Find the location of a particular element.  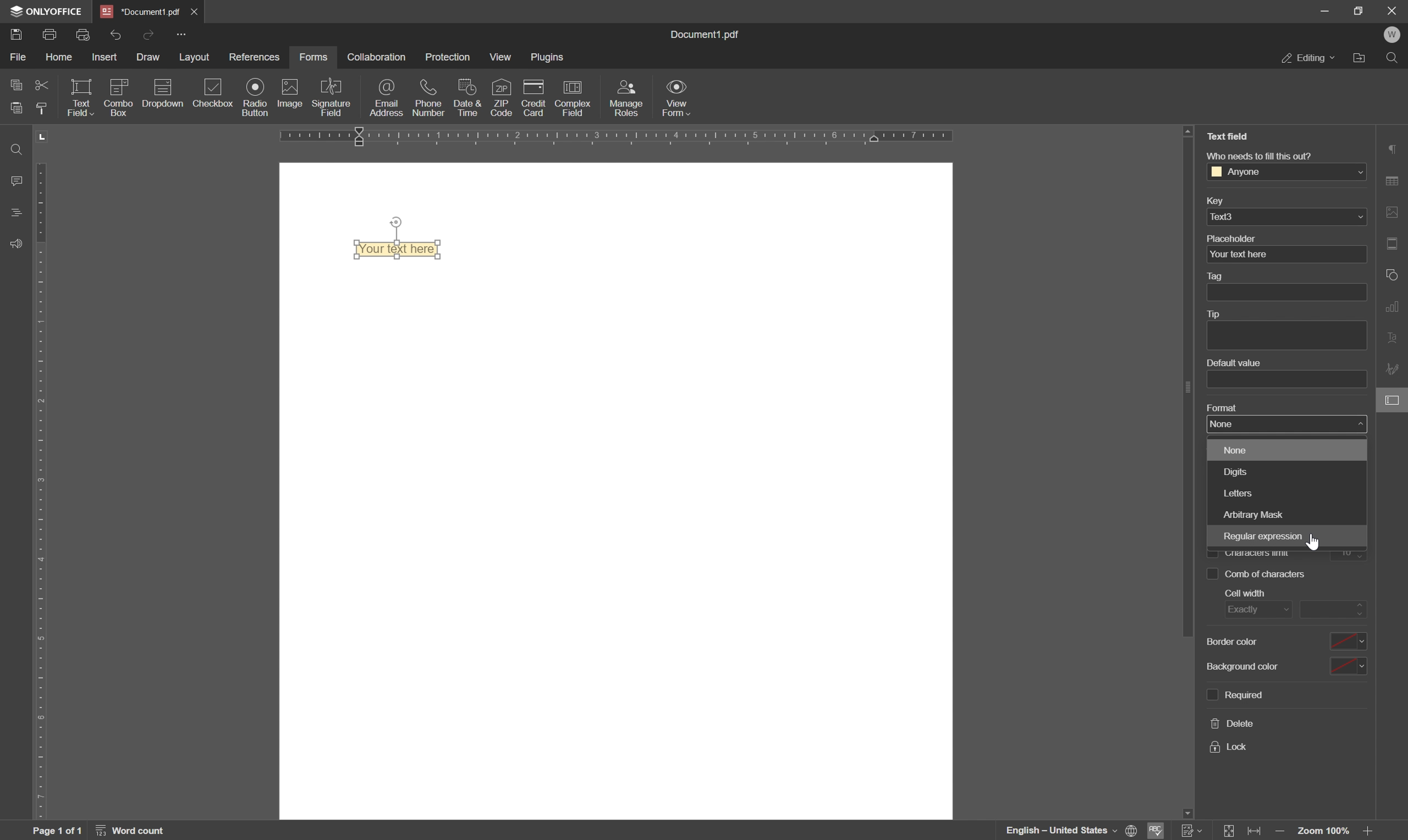

zoom out is located at coordinates (1281, 832).